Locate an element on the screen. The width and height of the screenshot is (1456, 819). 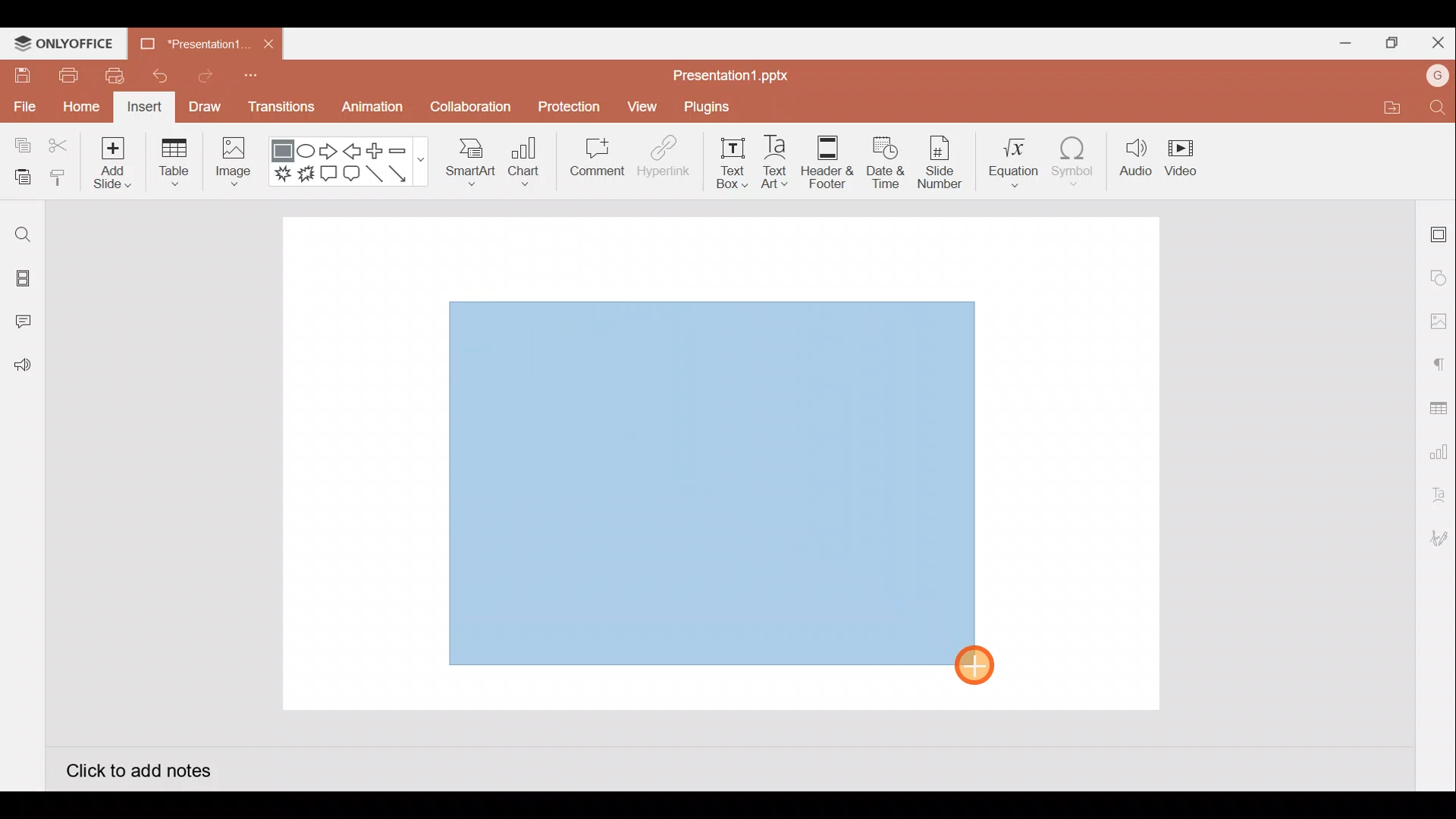
Explosion 1 is located at coordinates (283, 173).